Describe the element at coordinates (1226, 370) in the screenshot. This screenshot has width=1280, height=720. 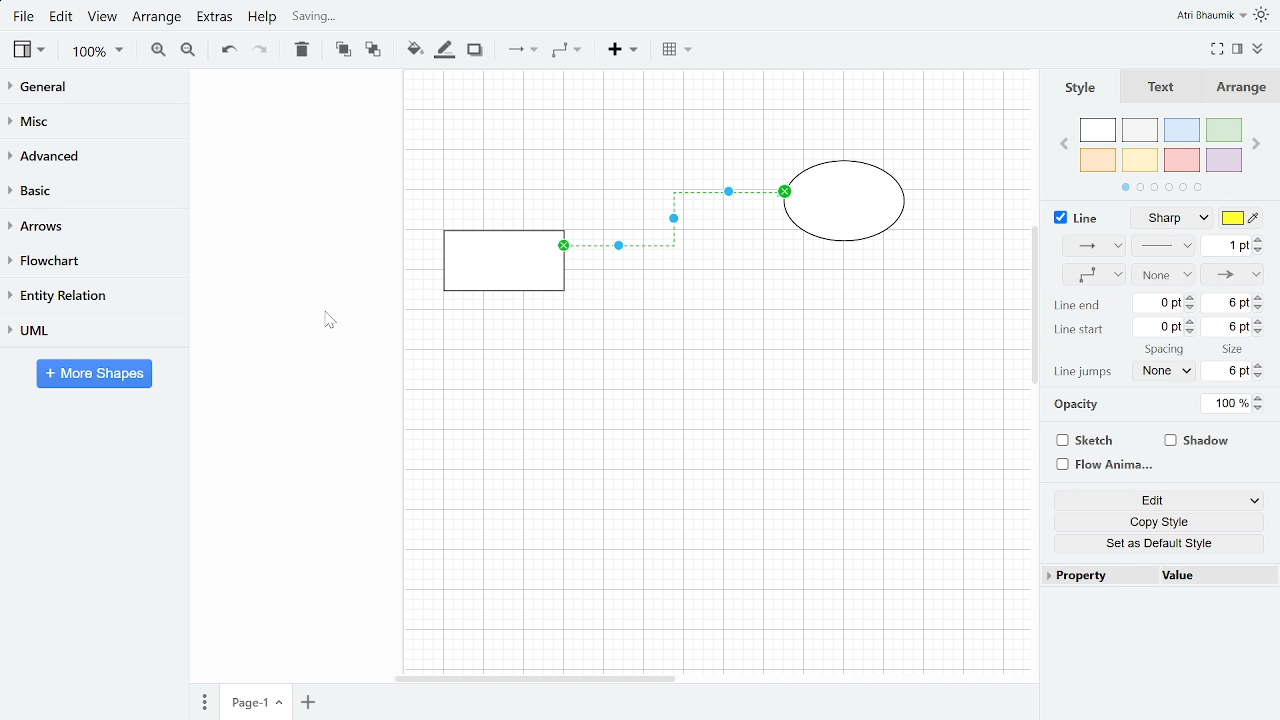
I see `Line jumps spacings` at that location.